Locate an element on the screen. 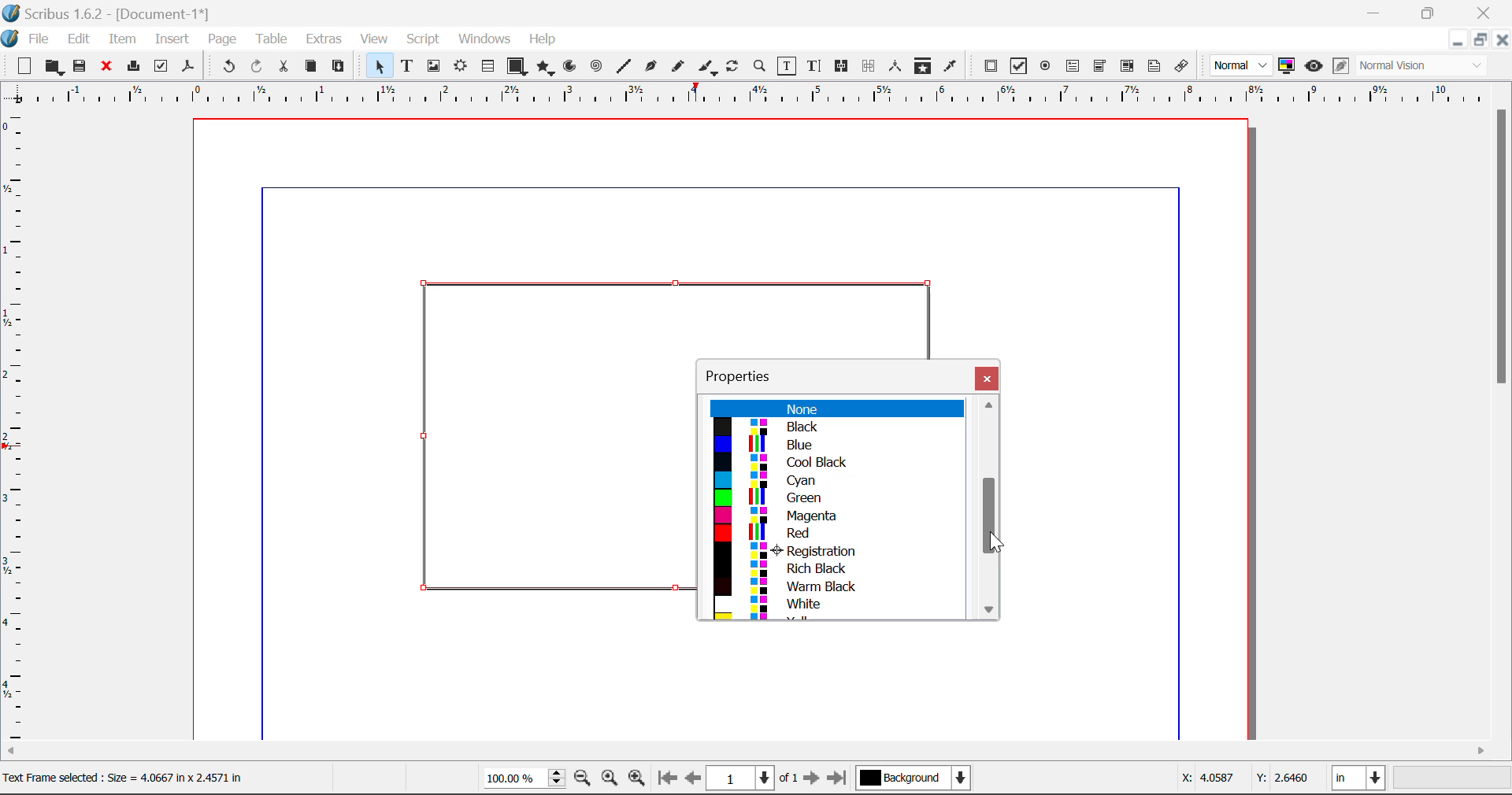  Copy is located at coordinates (310, 66).